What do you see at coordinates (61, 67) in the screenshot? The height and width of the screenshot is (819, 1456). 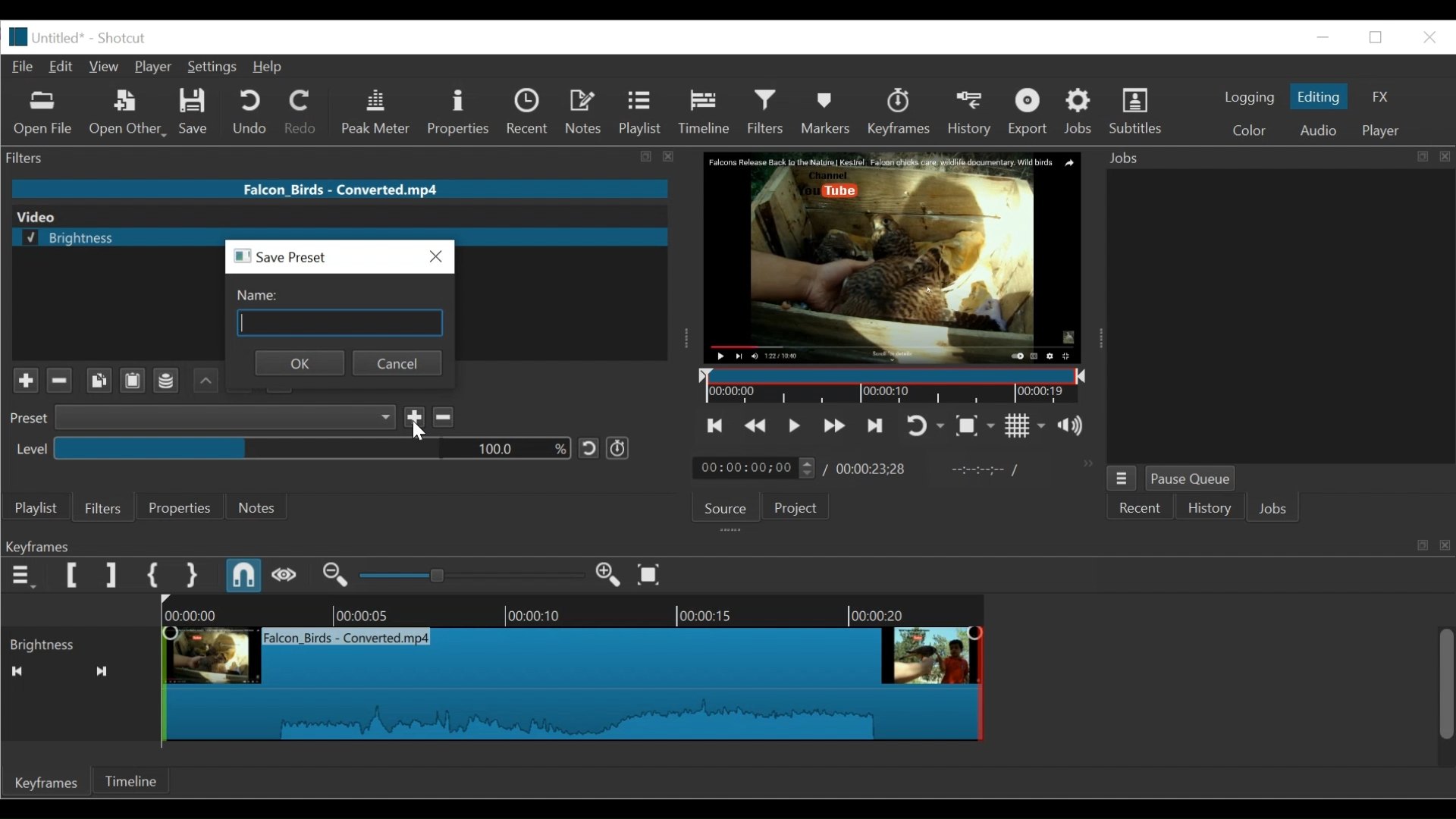 I see `Edit` at bounding box center [61, 67].